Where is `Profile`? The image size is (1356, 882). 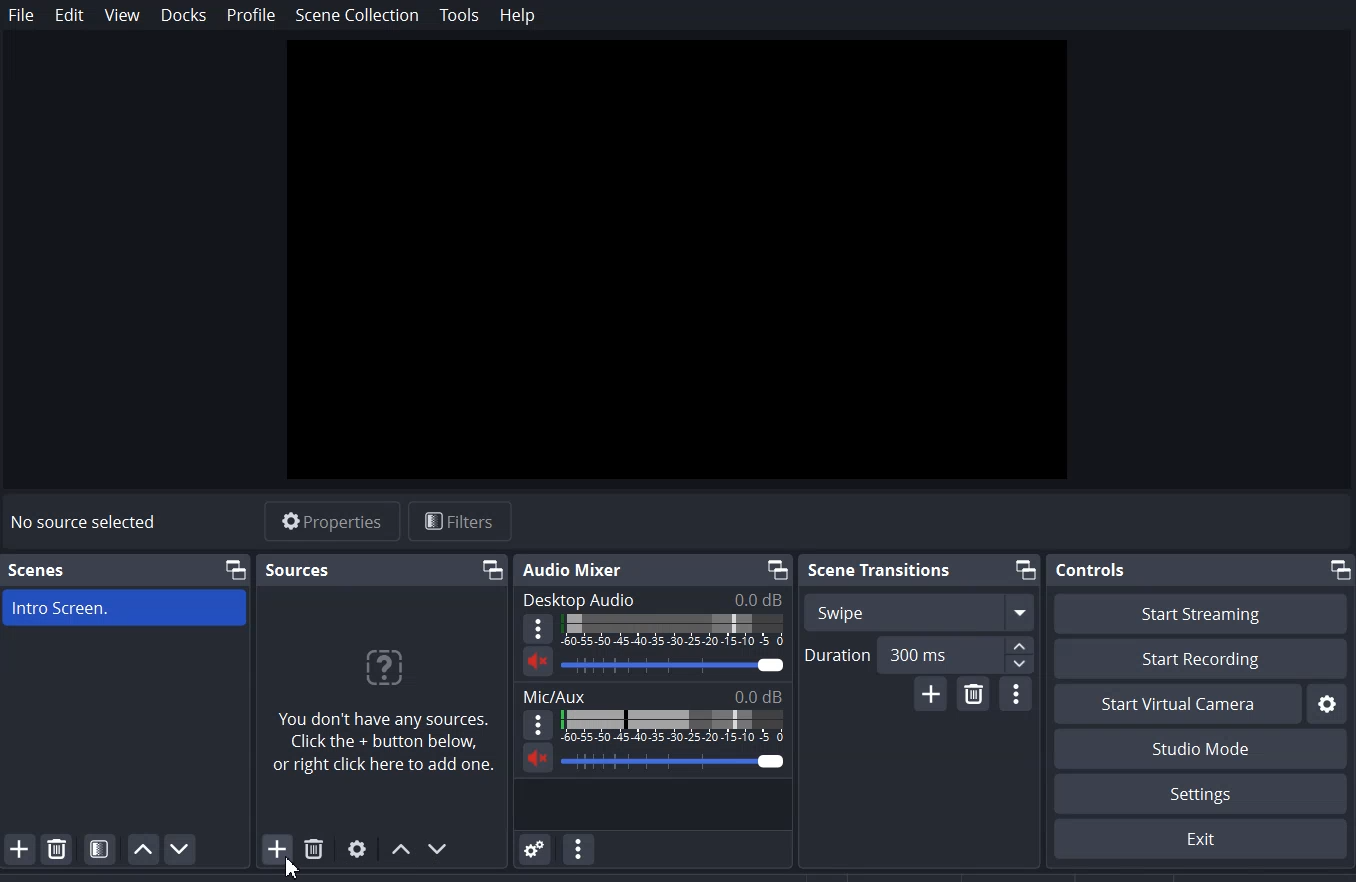 Profile is located at coordinates (251, 15).